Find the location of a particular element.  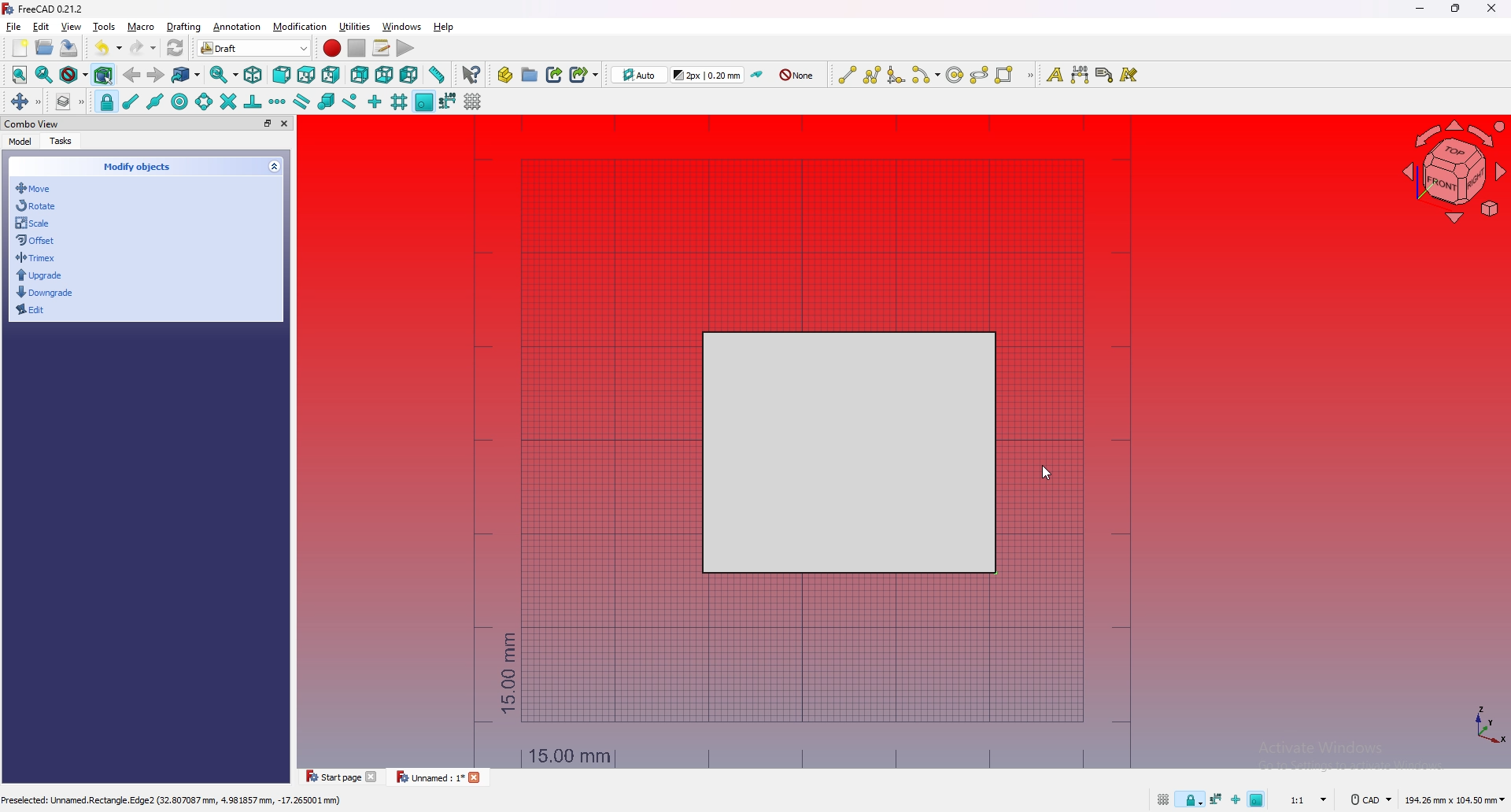

snap angle is located at coordinates (203, 101).